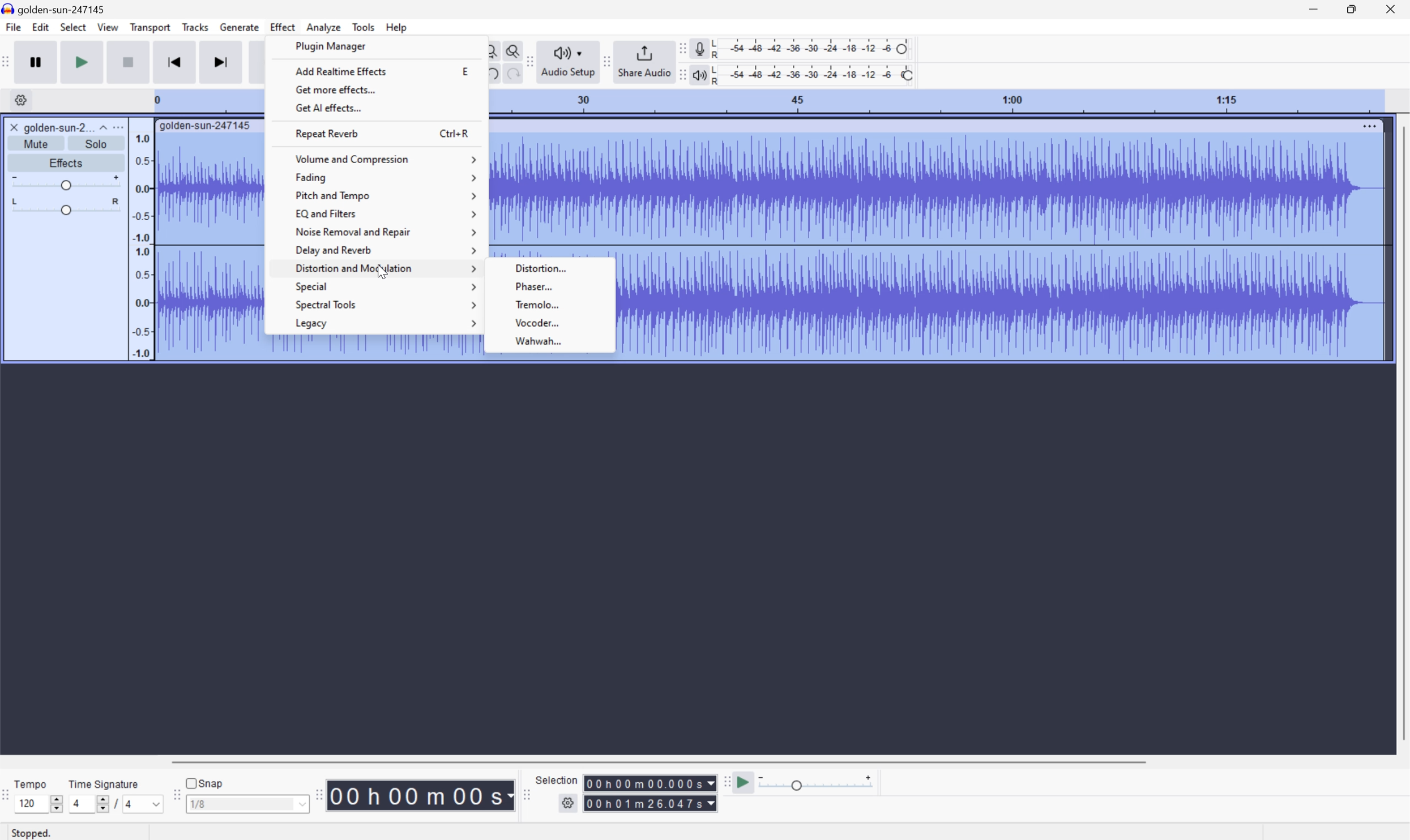 Image resolution: width=1410 pixels, height=840 pixels. Describe the element at coordinates (141, 246) in the screenshot. I see `Frequencies` at that location.